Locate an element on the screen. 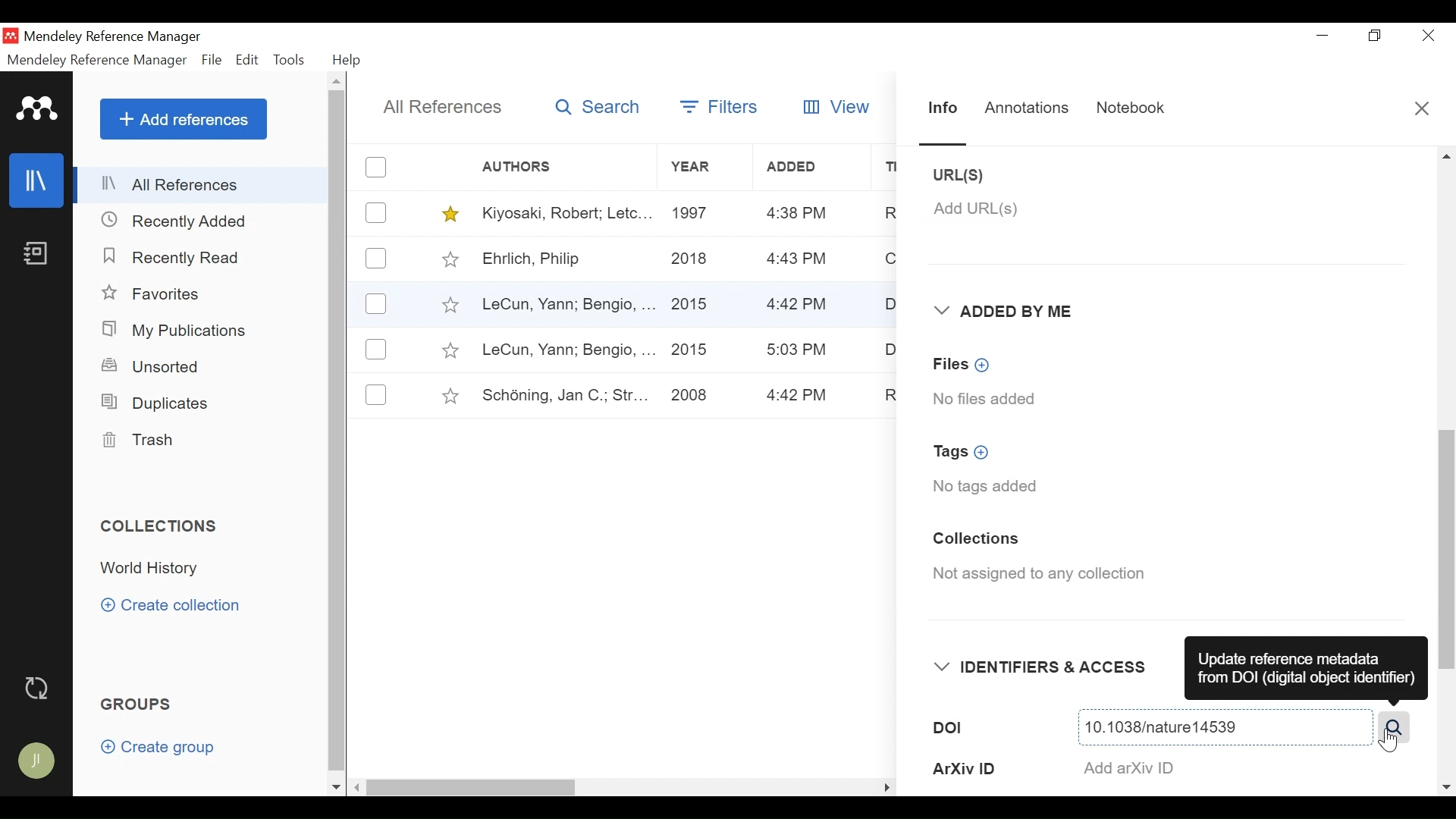 Image resolution: width=1456 pixels, height=819 pixels. ArXiv ID is located at coordinates (1172, 767).